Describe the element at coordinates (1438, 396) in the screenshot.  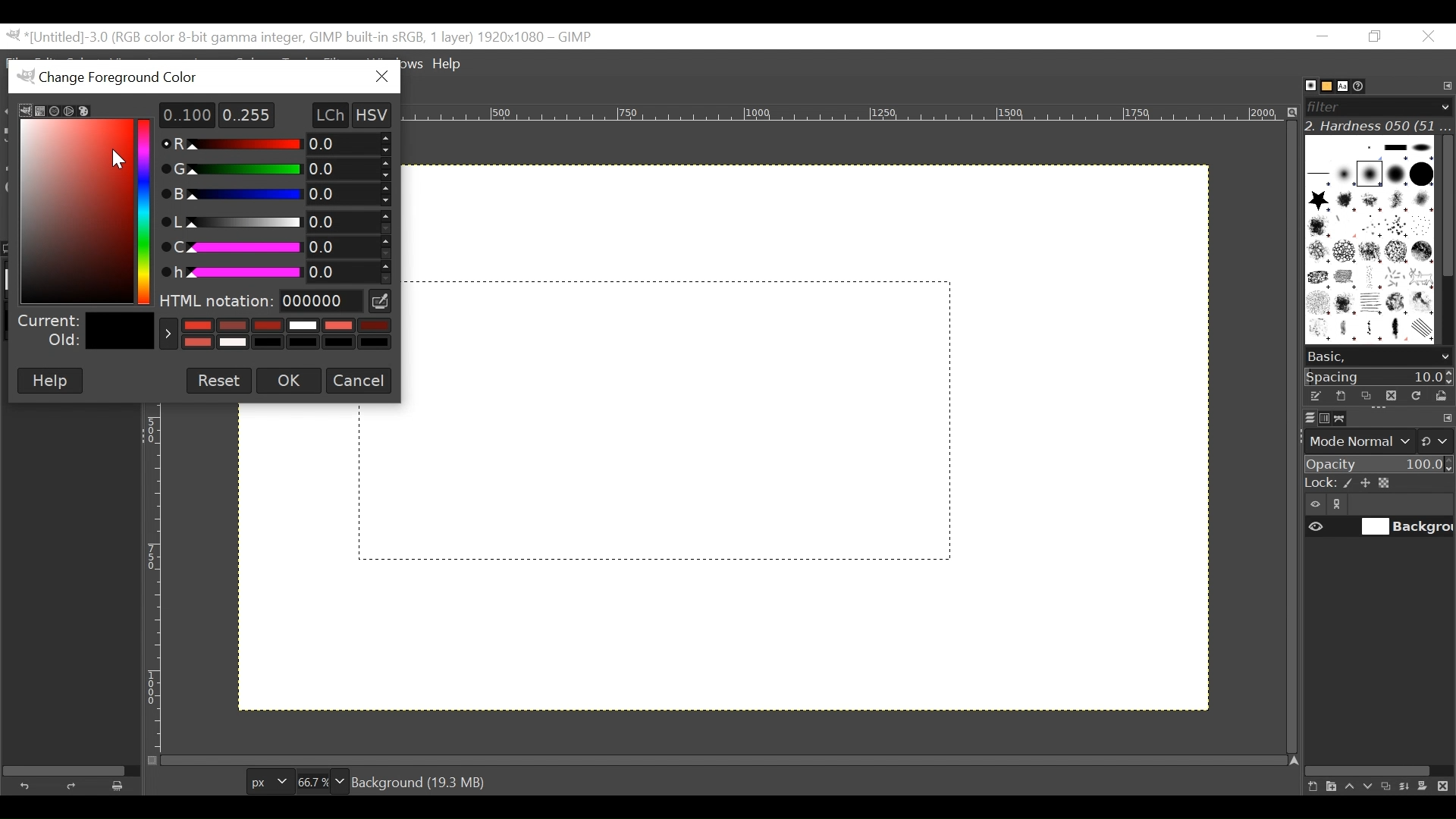
I see `Open` at that location.